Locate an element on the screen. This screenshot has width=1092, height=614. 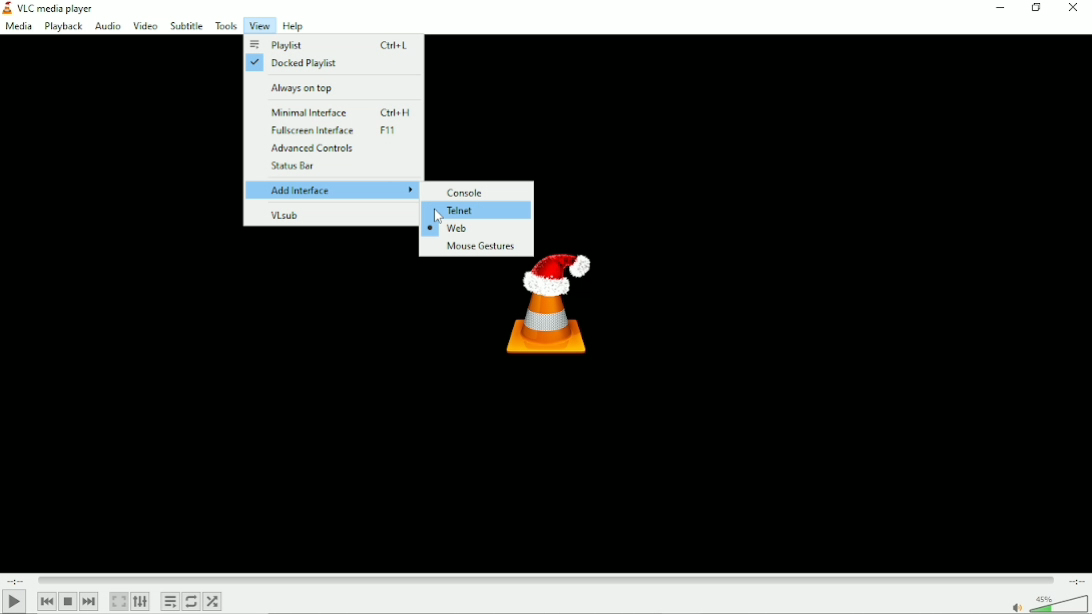
Web is located at coordinates (447, 229).